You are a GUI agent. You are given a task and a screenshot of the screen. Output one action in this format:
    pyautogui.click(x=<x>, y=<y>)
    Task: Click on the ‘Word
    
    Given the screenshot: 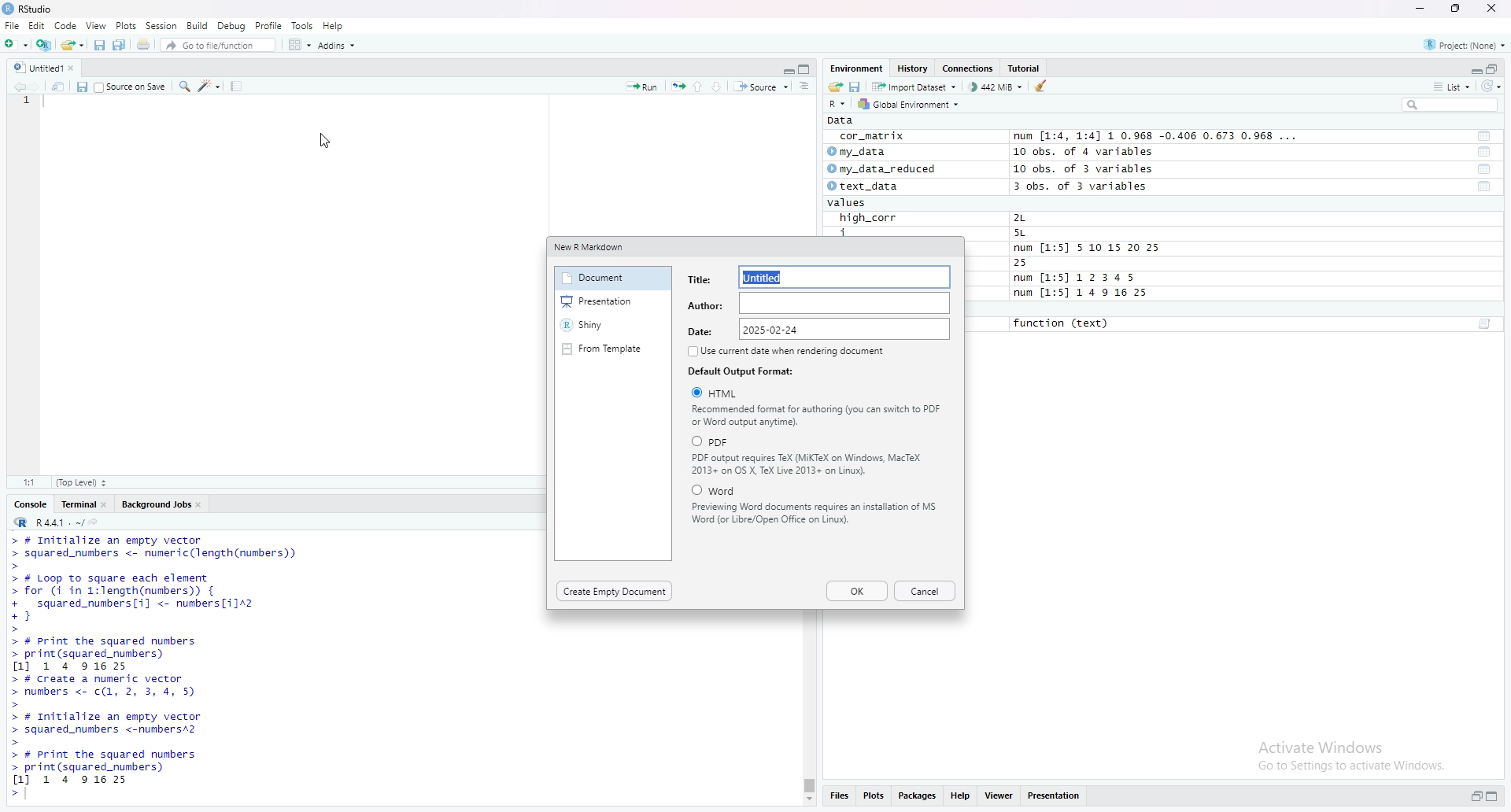 What is the action you would take?
    pyautogui.click(x=721, y=489)
    